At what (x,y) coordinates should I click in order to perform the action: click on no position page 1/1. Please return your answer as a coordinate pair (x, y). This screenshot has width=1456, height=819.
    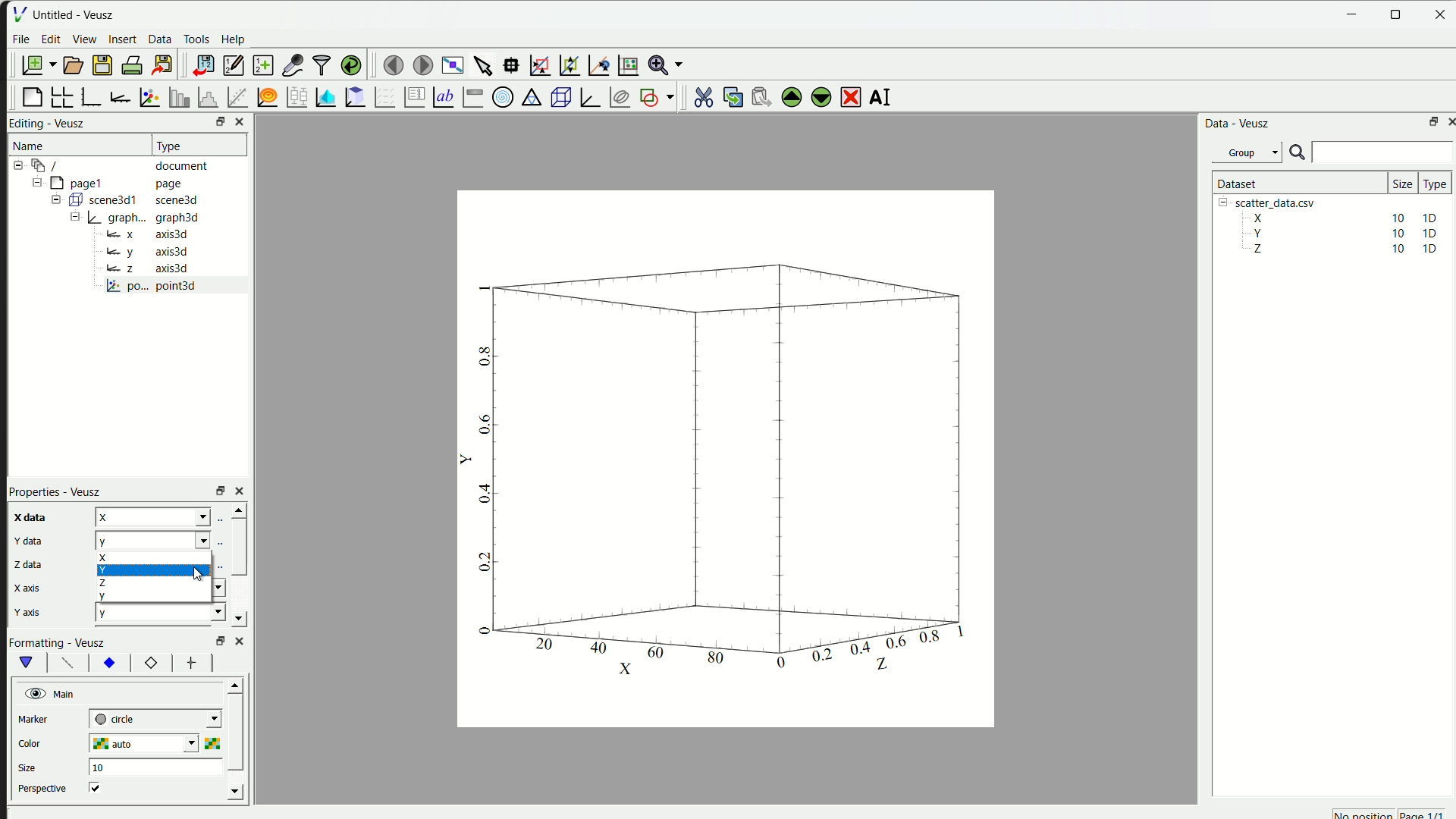
    Looking at the image, I should click on (1393, 812).